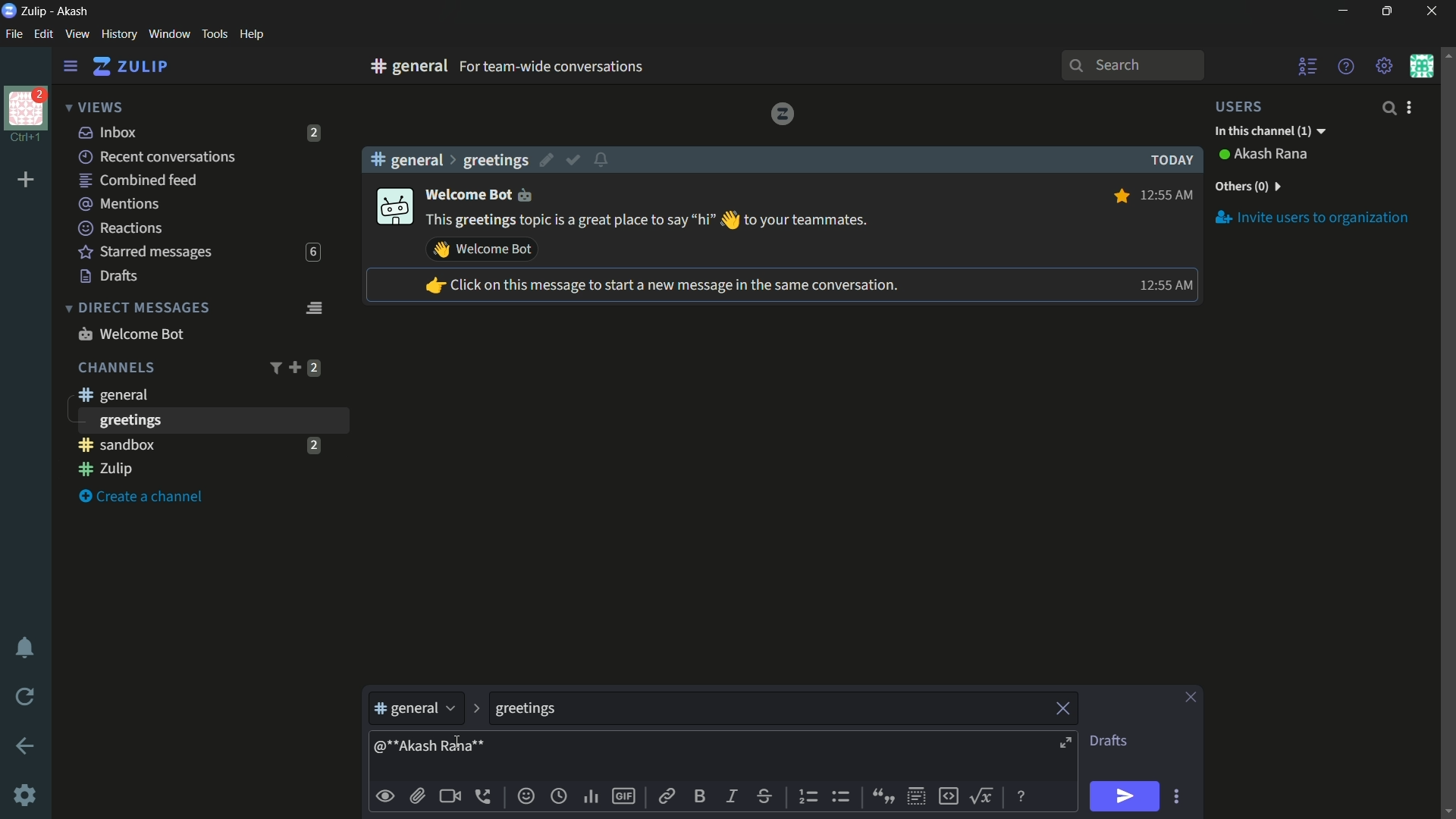 This screenshot has height=819, width=1456. Describe the element at coordinates (146, 253) in the screenshot. I see `starred messages` at that location.